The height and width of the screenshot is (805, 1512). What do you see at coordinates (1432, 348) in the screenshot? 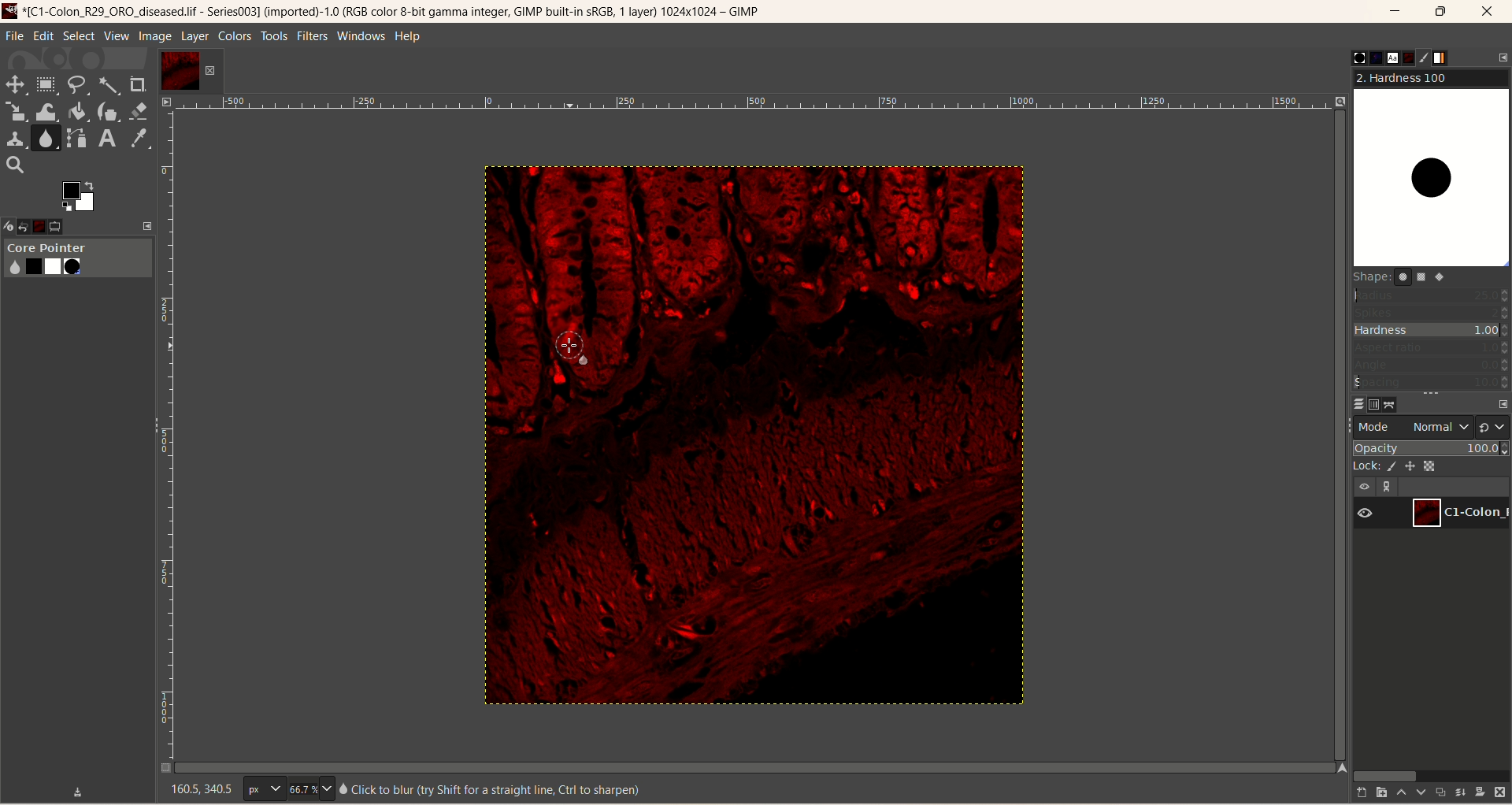
I see `aspect ratio` at bounding box center [1432, 348].